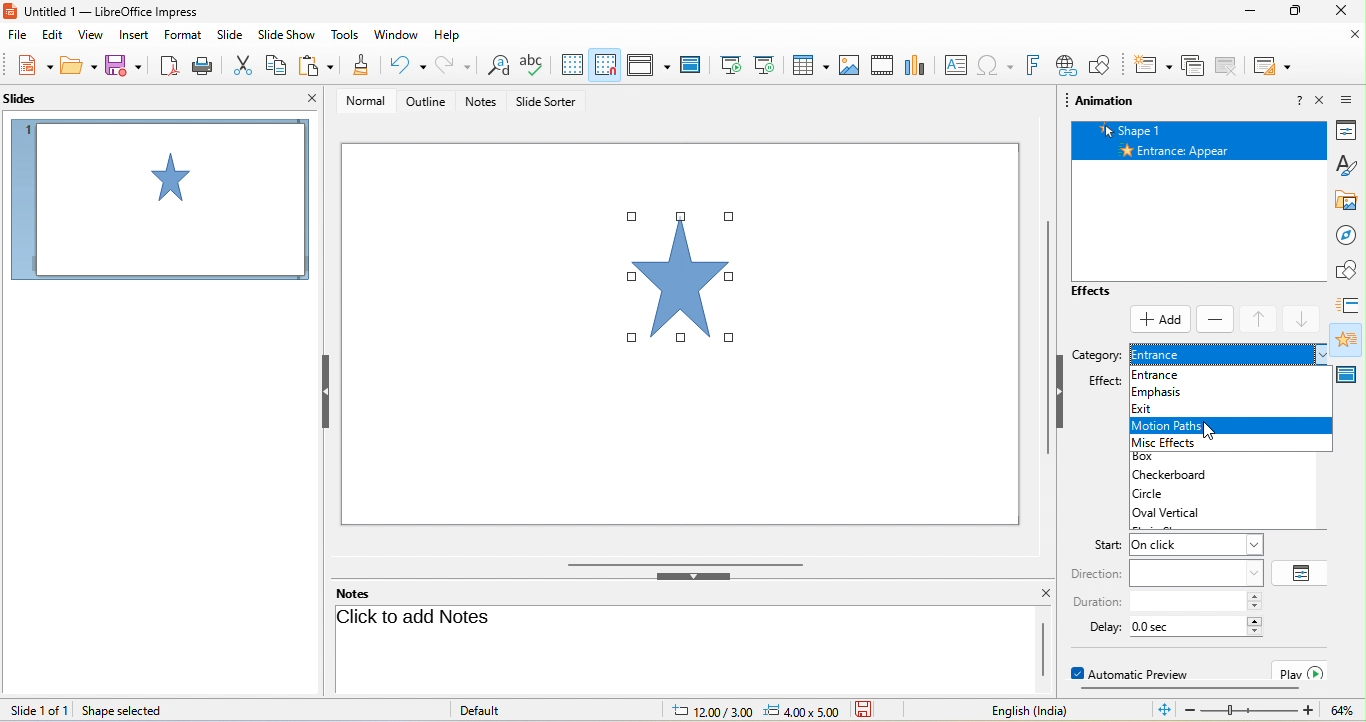  What do you see at coordinates (1305, 320) in the screenshot?
I see `move down` at bounding box center [1305, 320].